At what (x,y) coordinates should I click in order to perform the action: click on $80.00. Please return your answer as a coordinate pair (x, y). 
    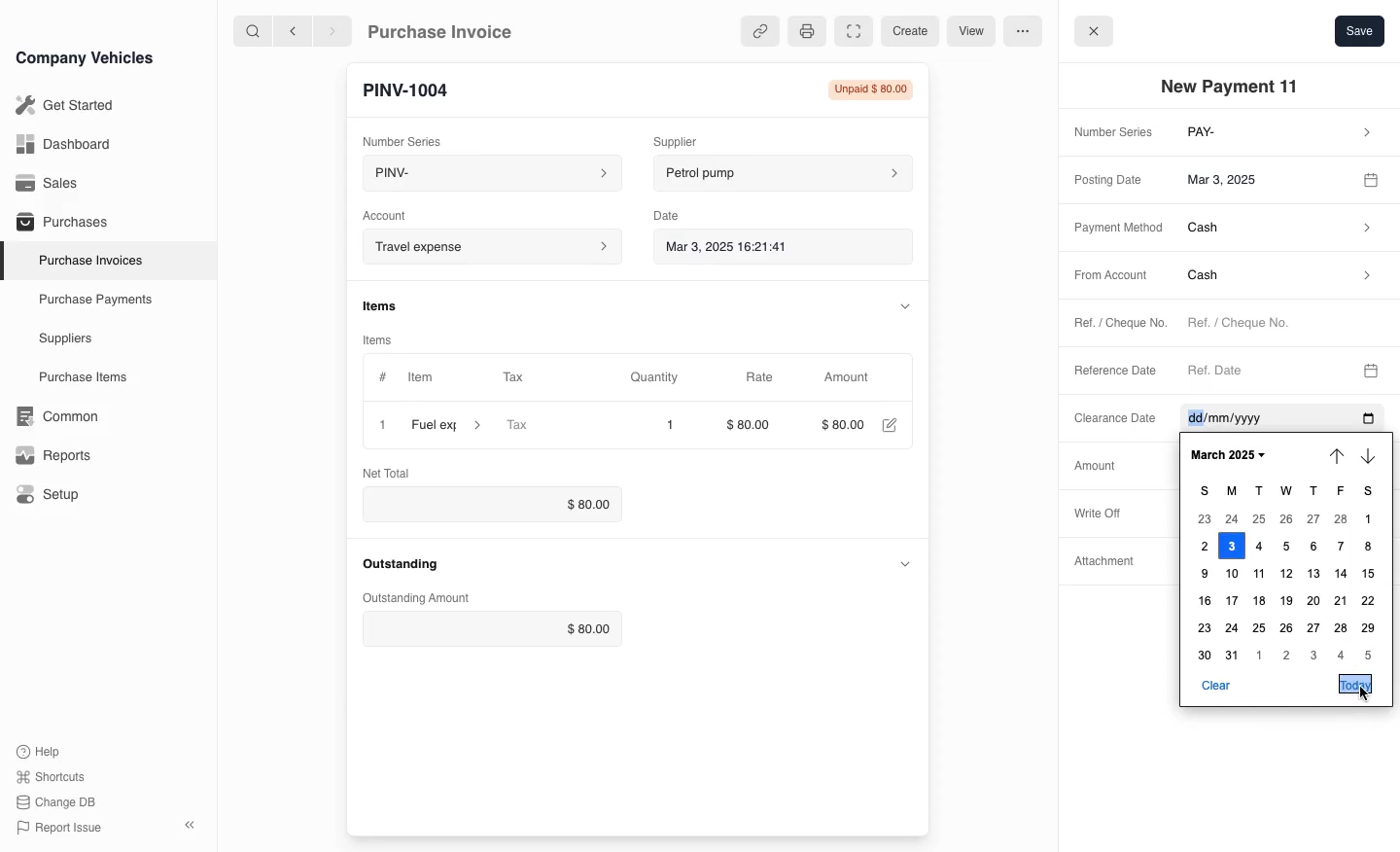
    Looking at the image, I should click on (753, 427).